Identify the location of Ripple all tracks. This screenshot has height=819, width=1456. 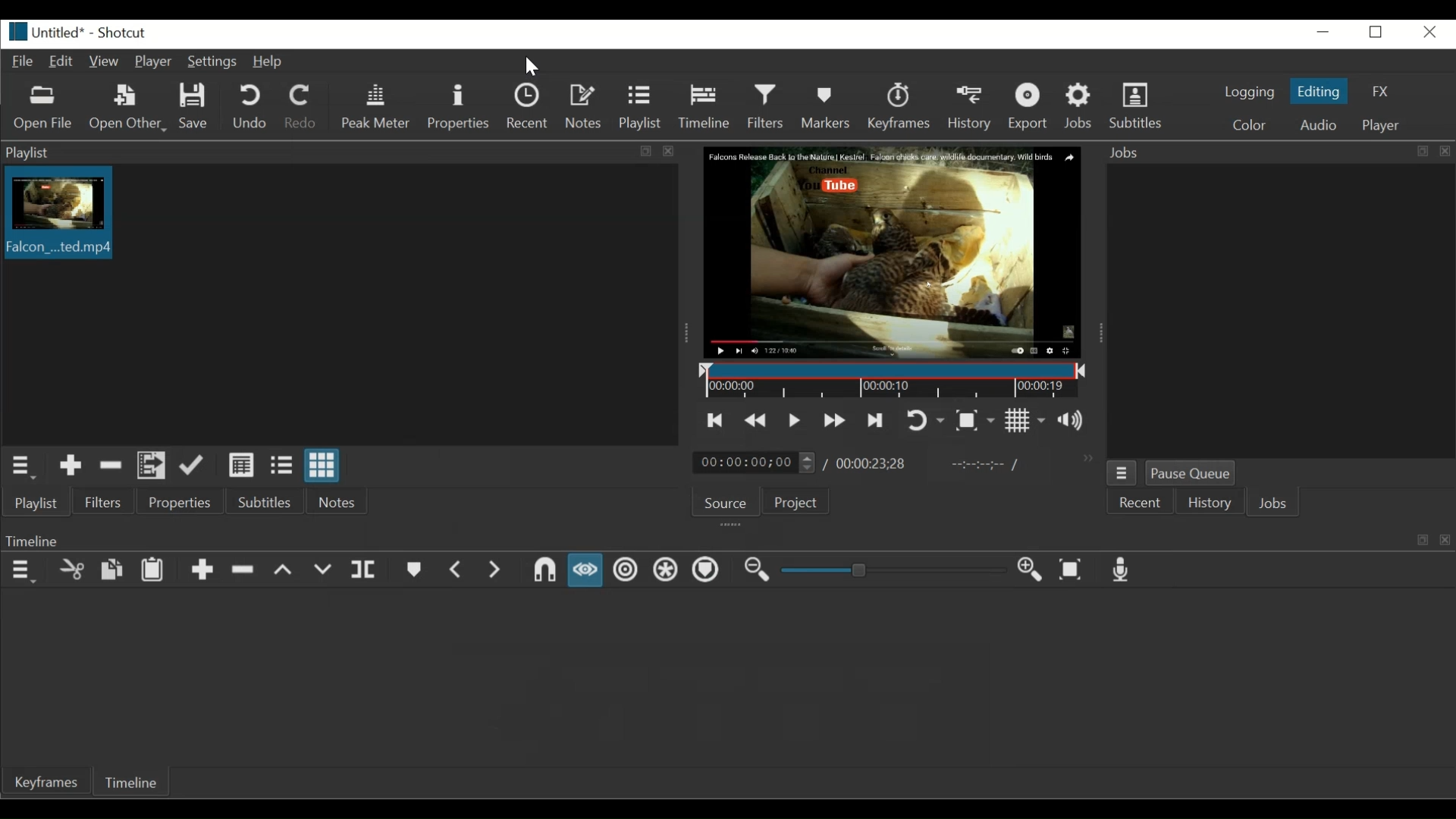
(666, 570).